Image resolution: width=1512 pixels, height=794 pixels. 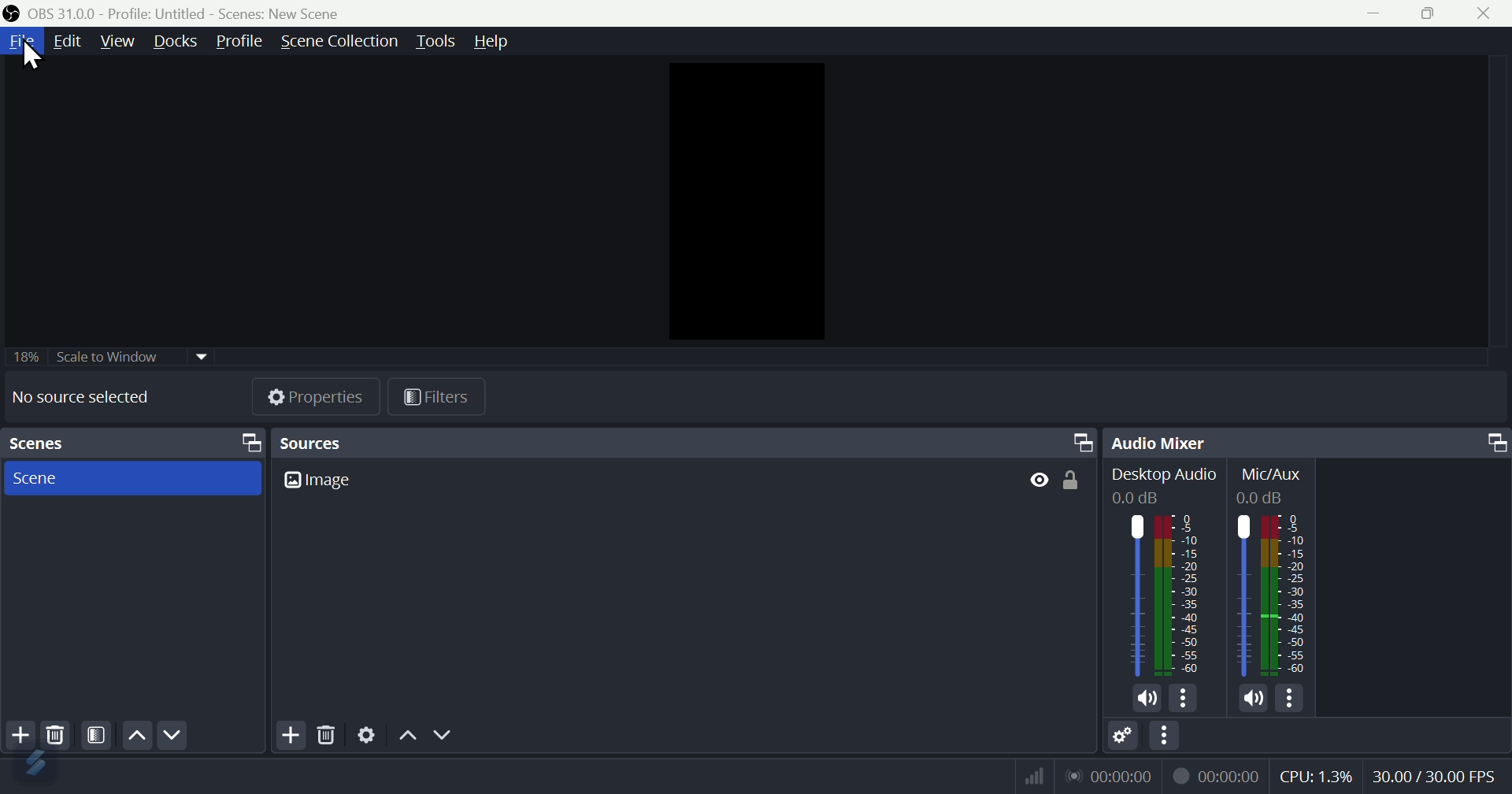 What do you see at coordinates (343, 480) in the screenshot?
I see `Image` at bounding box center [343, 480].